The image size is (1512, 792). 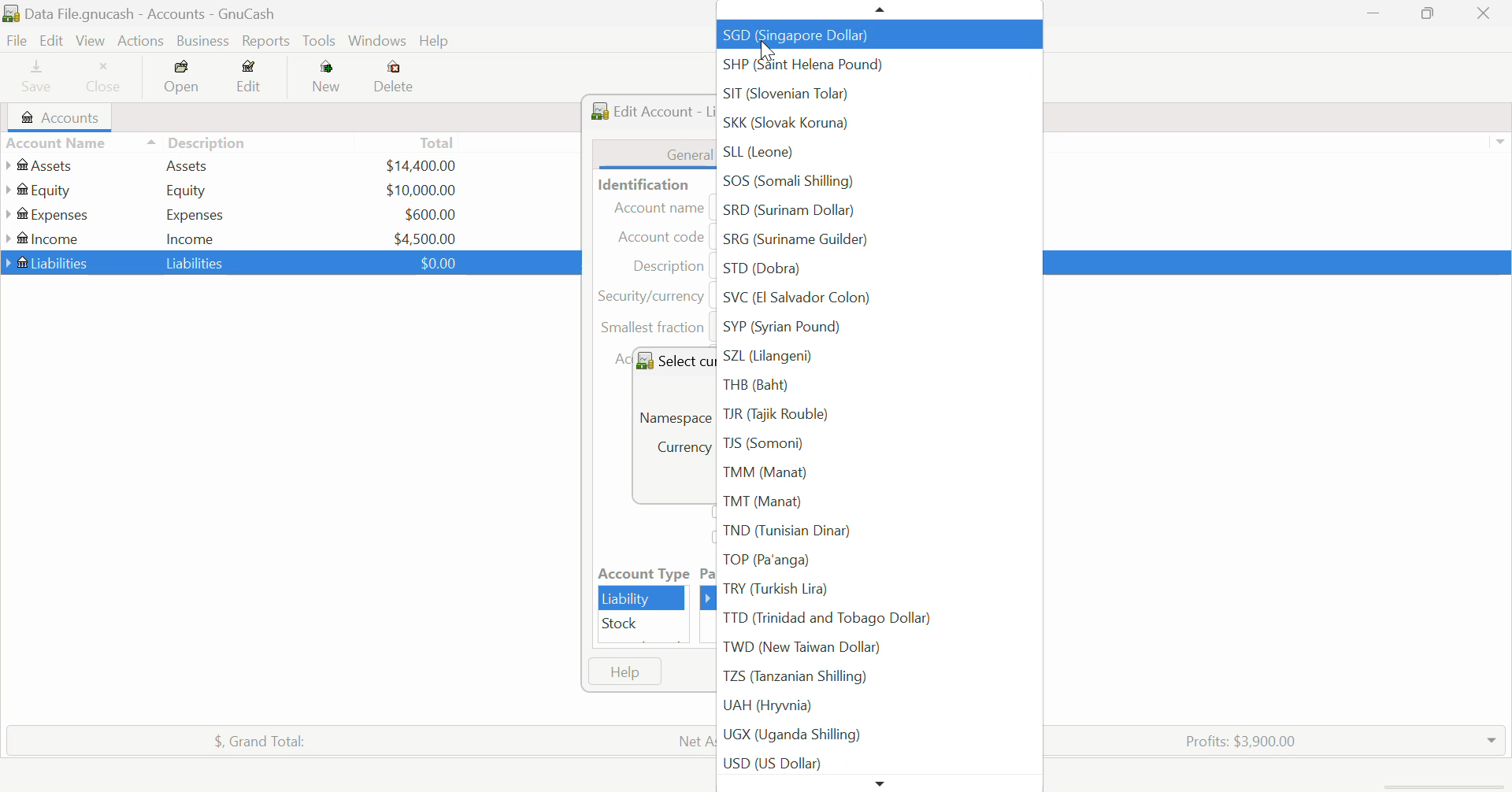 What do you see at coordinates (876, 472) in the screenshot?
I see `TMM` at bounding box center [876, 472].